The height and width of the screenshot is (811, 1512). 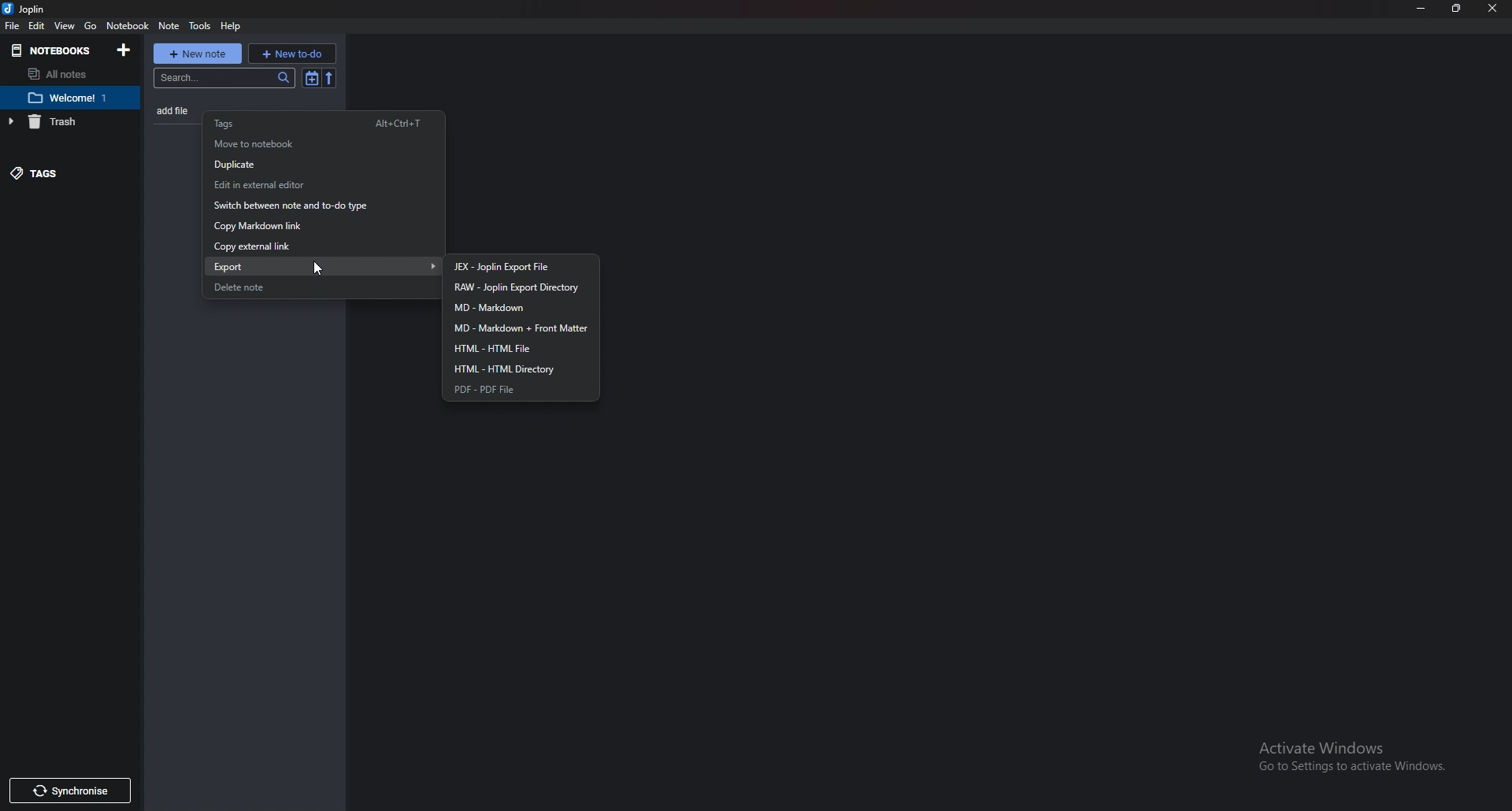 I want to click on markdown, so click(x=521, y=309).